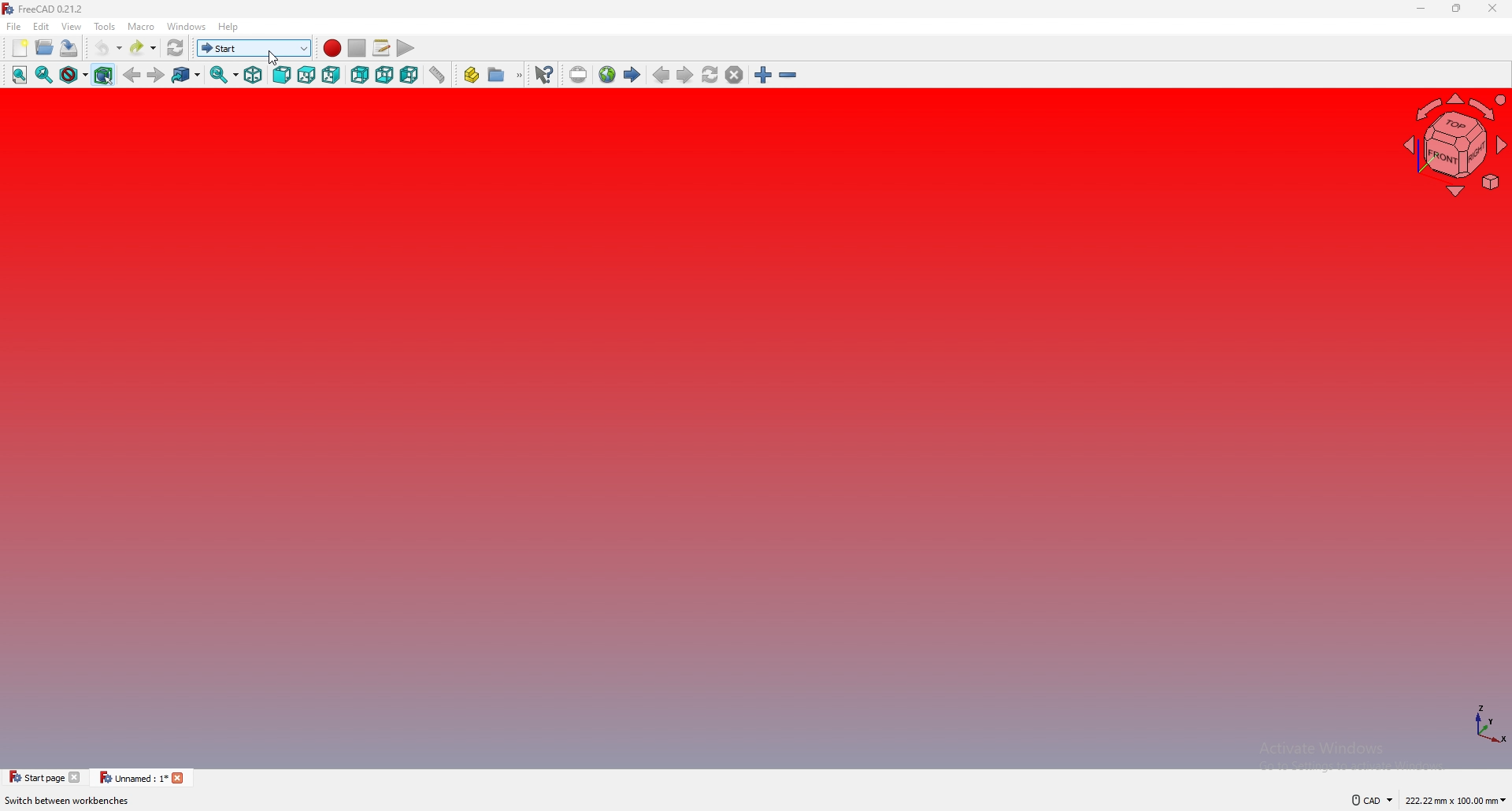  I want to click on right, so click(331, 75).